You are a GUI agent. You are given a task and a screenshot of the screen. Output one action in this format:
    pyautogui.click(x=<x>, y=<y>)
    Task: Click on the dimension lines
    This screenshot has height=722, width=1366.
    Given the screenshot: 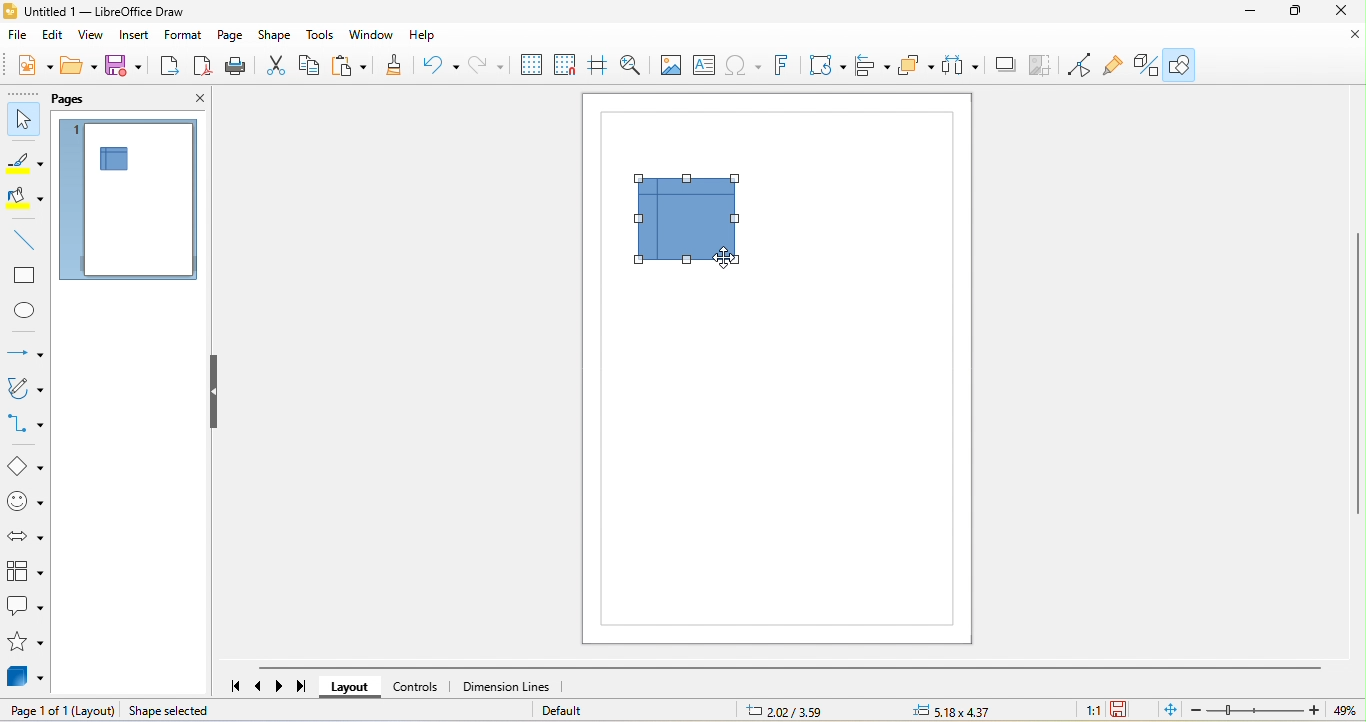 What is the action you would take?
    pyautogui.click(x=506, y=686)
    